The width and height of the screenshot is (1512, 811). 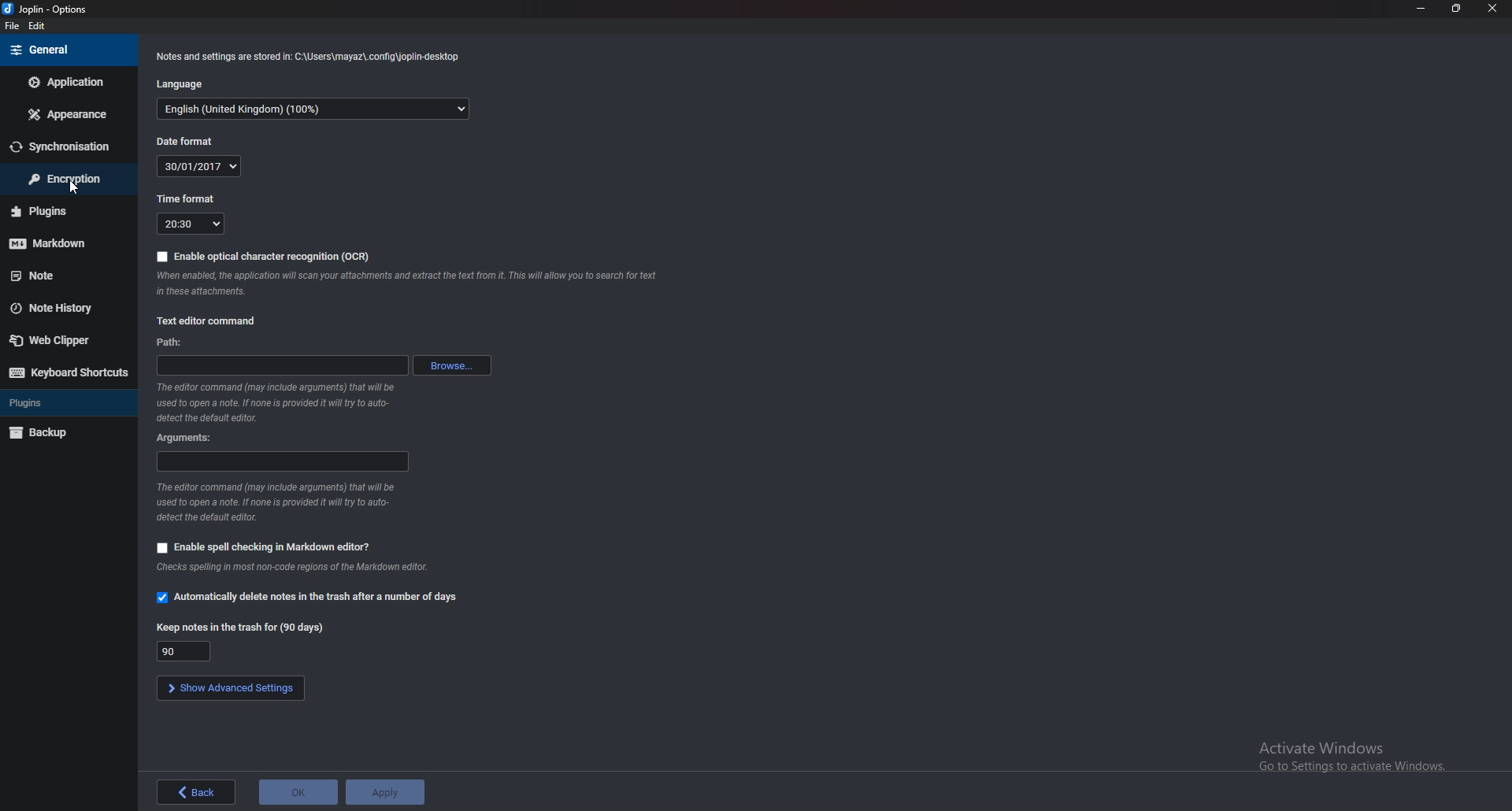 What do you see at coordinates (197, 791) in the screenshot?
I see `back` at bounding box center [197, 791].